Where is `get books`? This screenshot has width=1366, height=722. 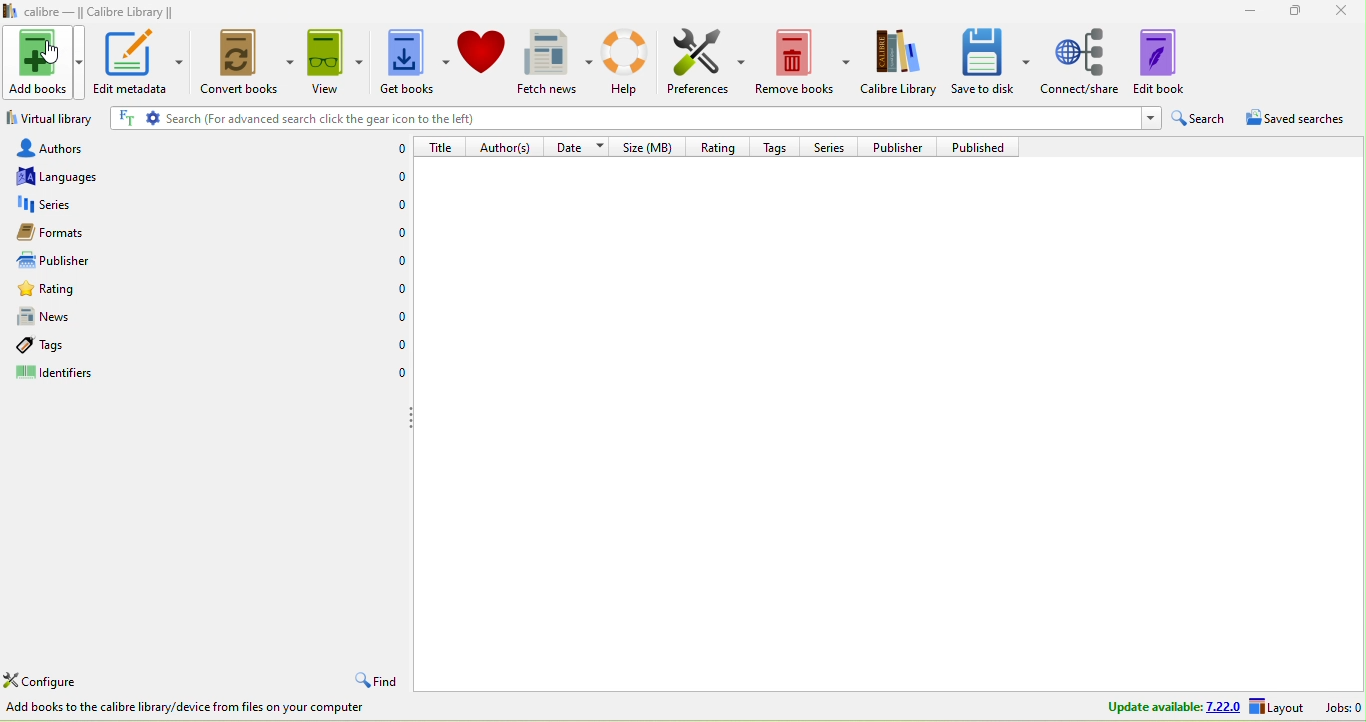
get books is located at coordinates (416, 61).